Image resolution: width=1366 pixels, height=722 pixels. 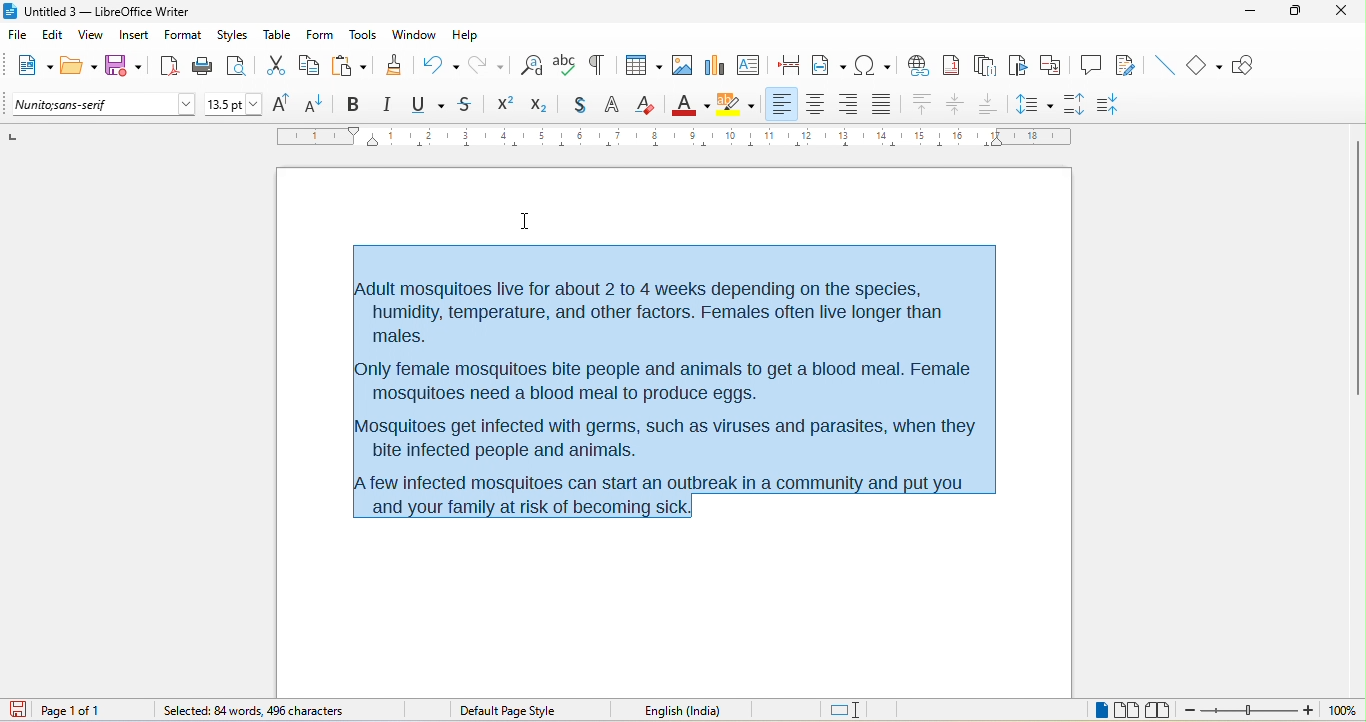 What do you see at coordinates (1092, 711) in the screenshot?
I see `single page view` at bounding box center [1092, 711].